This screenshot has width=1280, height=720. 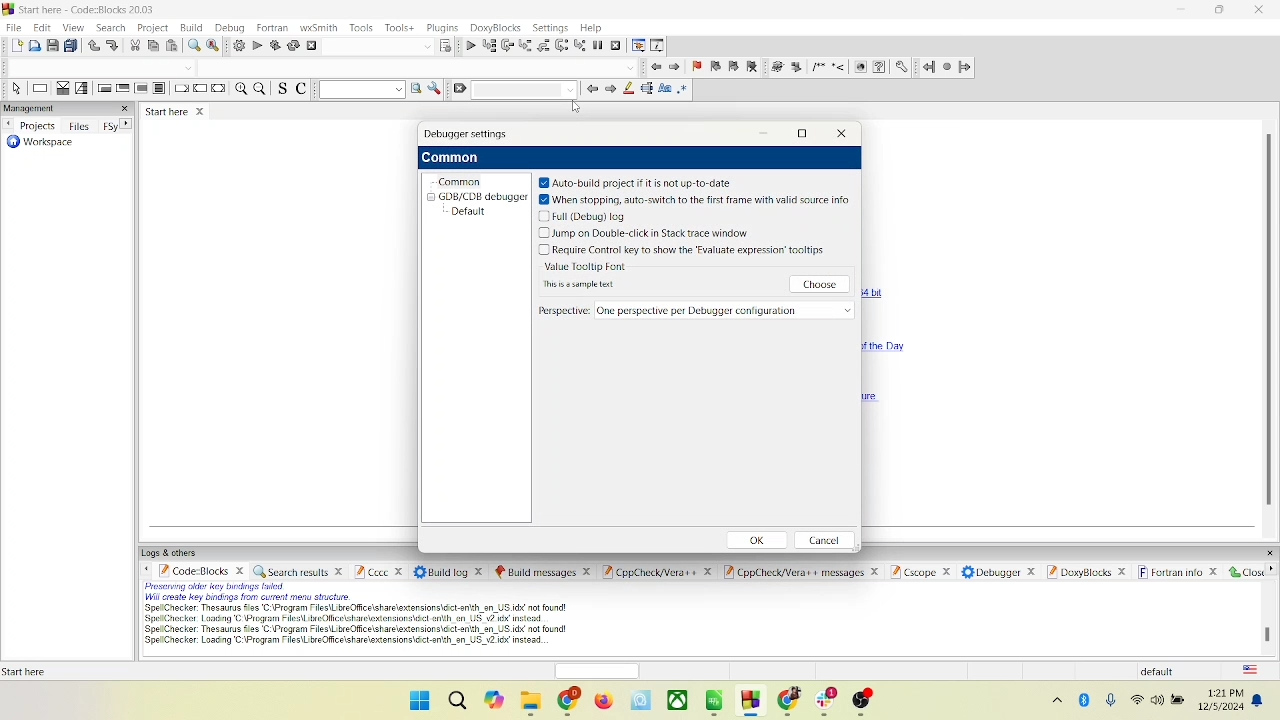 What do you see at coordinates (1262, 699) in the screenshot?
I see `notification` at bounding box center [1262, 699].